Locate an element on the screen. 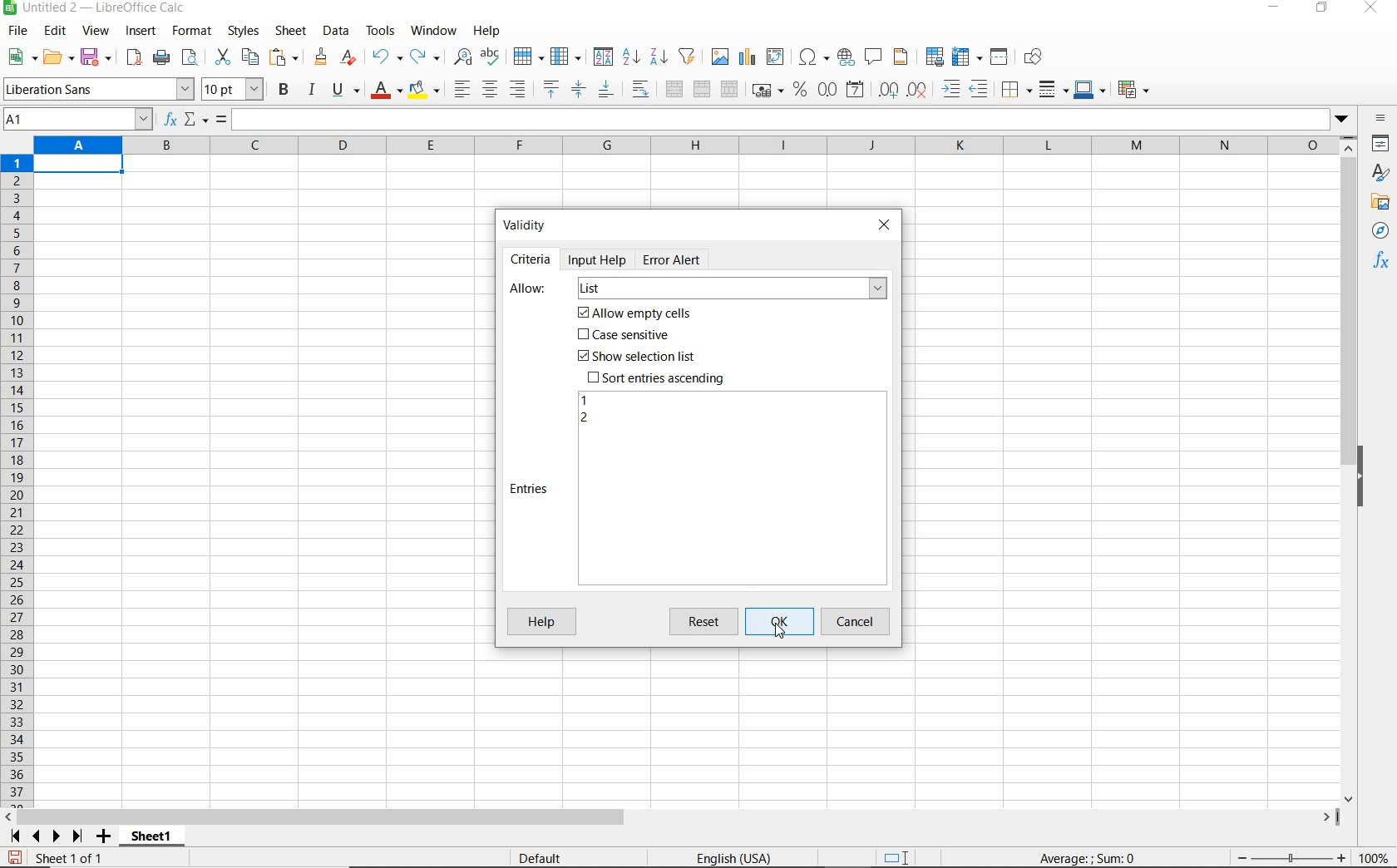  format as percent is located at coordinates (800, 90).